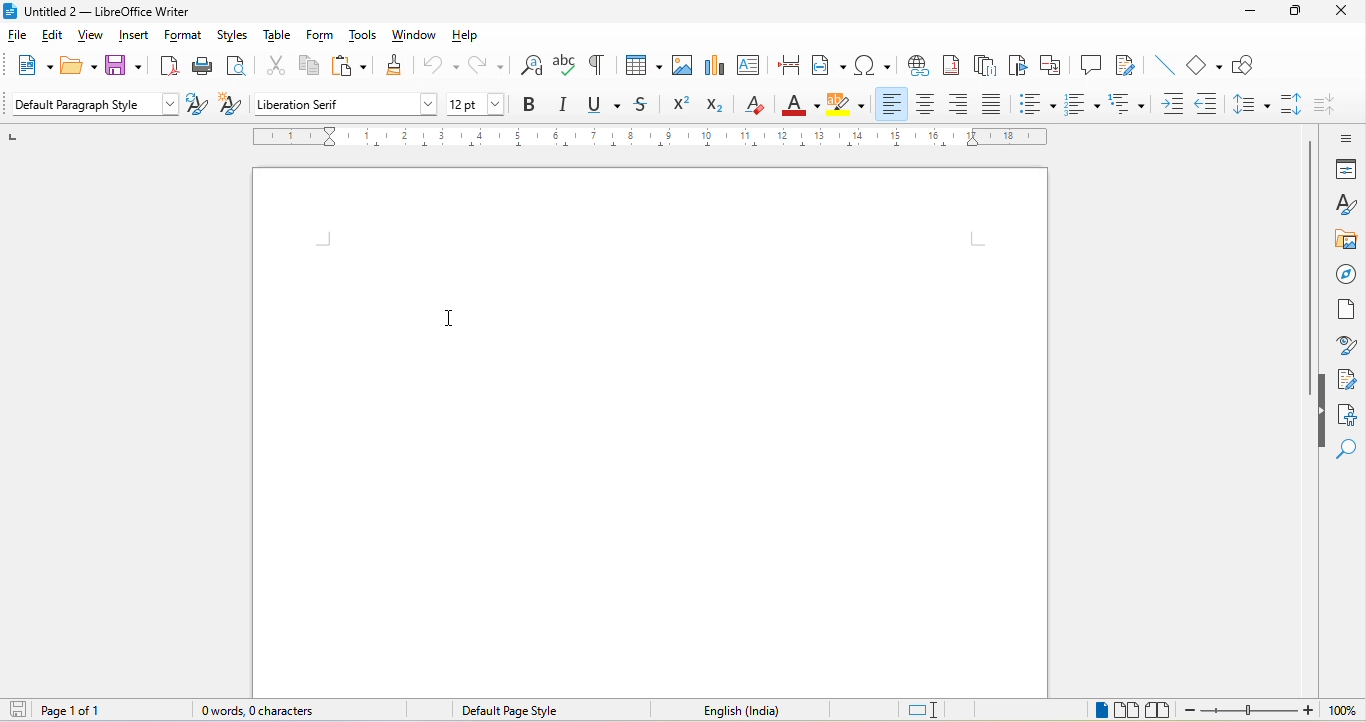 Image resolution: width=1366 pixels, height=722 pixels. I want to click on outline format, so click(1127, 103).